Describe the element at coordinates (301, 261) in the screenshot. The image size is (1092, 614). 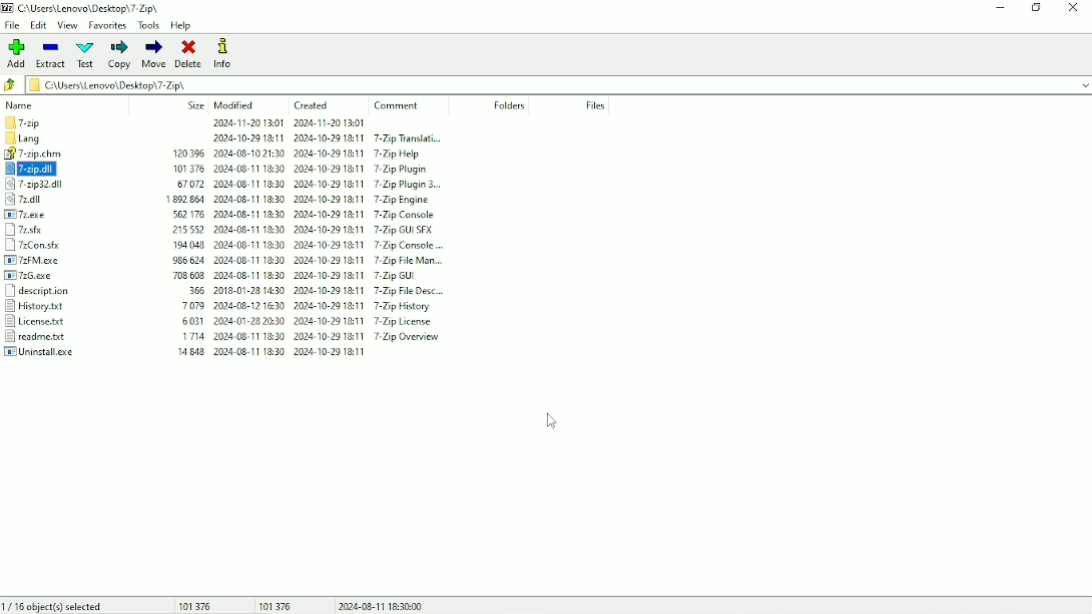
I see `986624 202408111830 2024-10-291811 7-Zip File Man...` at that location.